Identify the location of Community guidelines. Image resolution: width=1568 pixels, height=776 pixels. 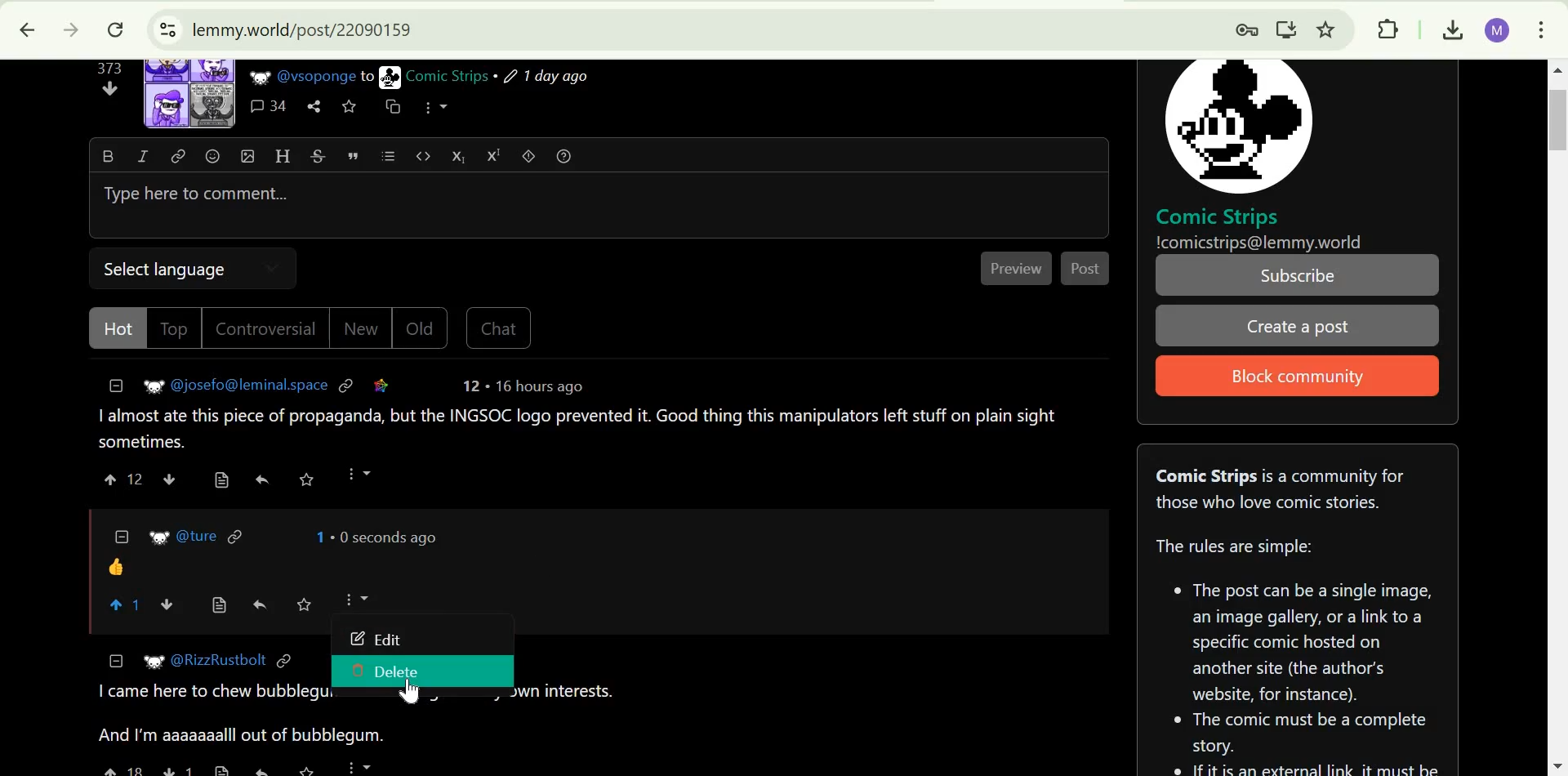
(1299, 649).